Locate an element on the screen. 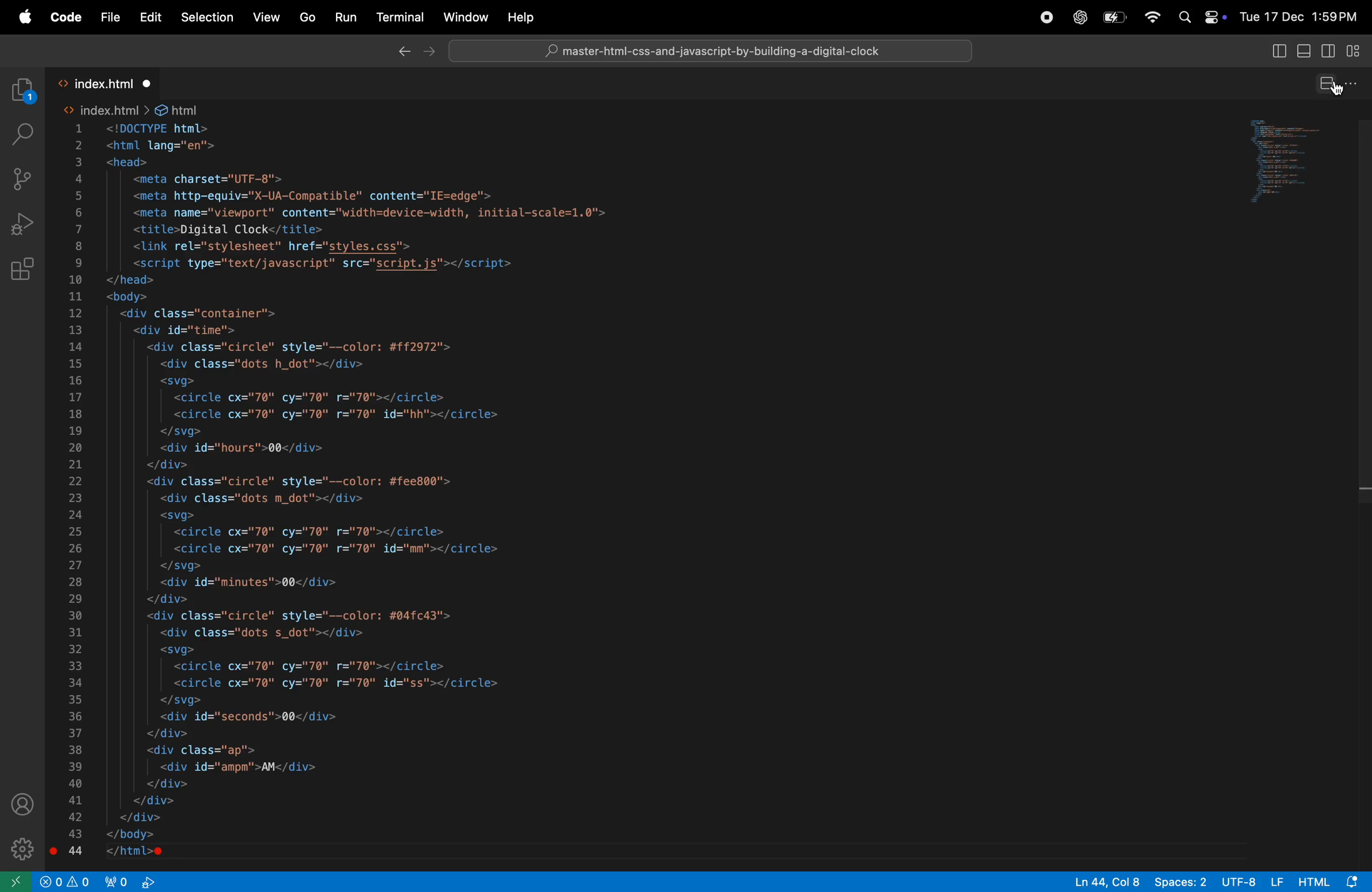 The width and height of the screenshot is (1372, 892). index.html is located at coordinates (105, 80).